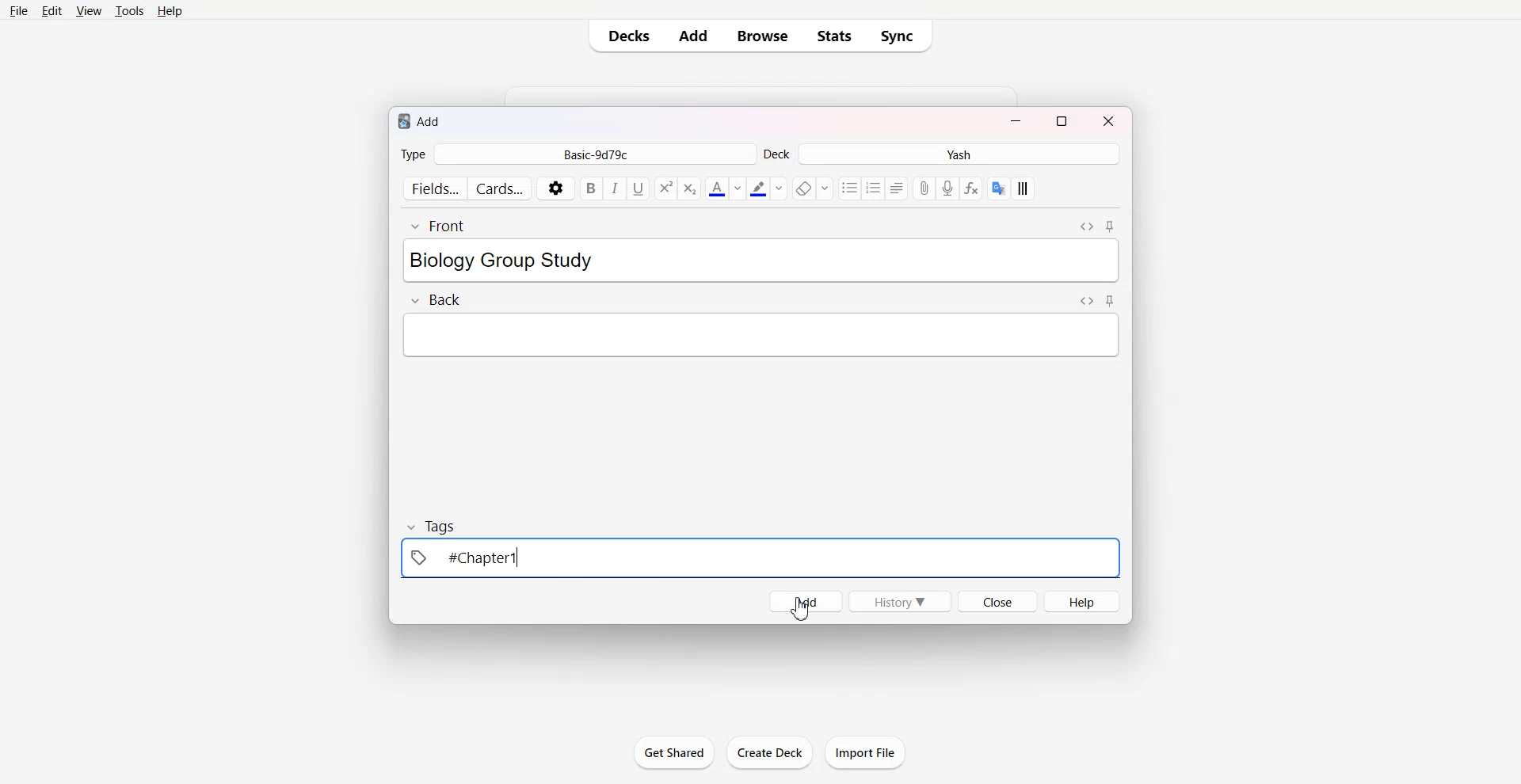 This screenshot has width=1521, height=784. Describe the element at coordinates (804, 602) in the screenshot. I see `Add` at that location.